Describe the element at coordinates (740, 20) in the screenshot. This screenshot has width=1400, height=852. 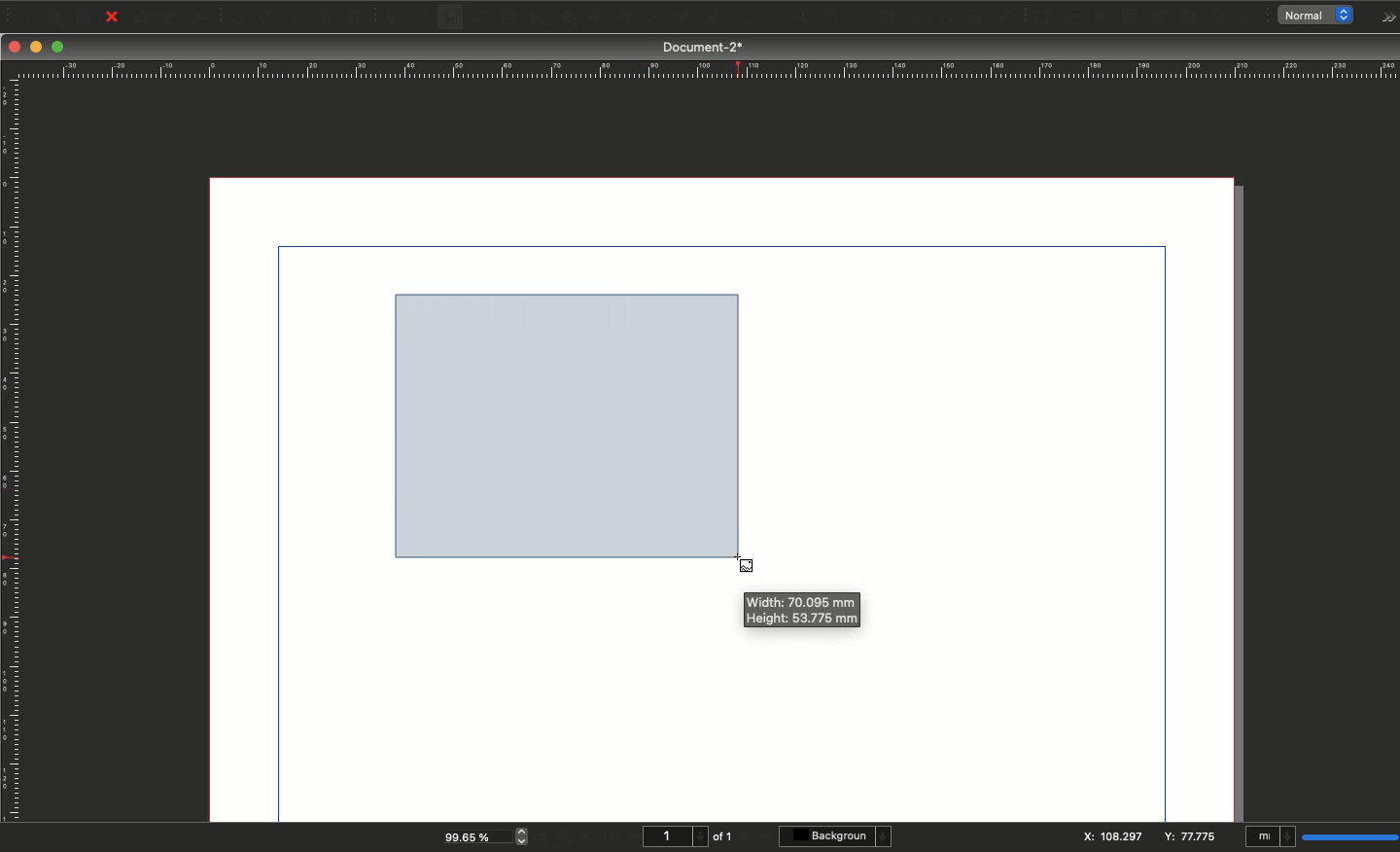
I see `Rotate item` at that location.